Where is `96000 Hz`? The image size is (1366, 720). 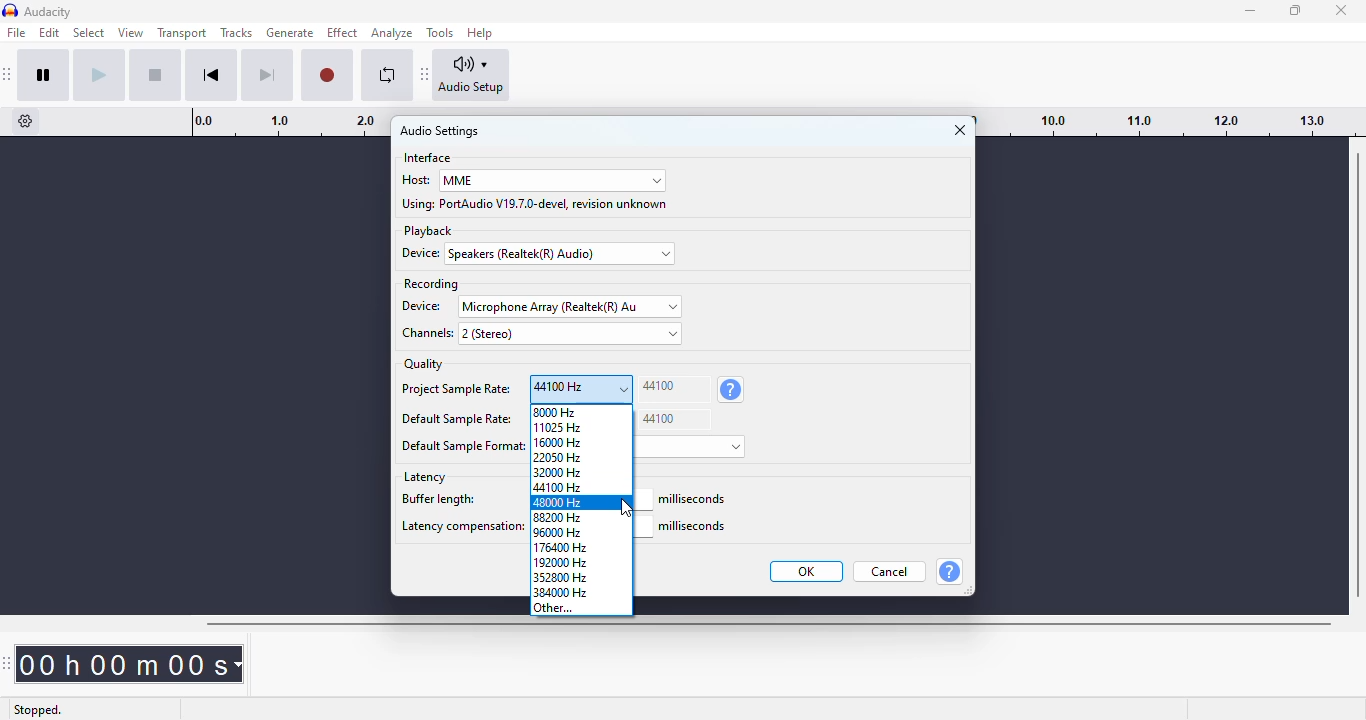 96000 Hz is located at coordinates (581, 533).